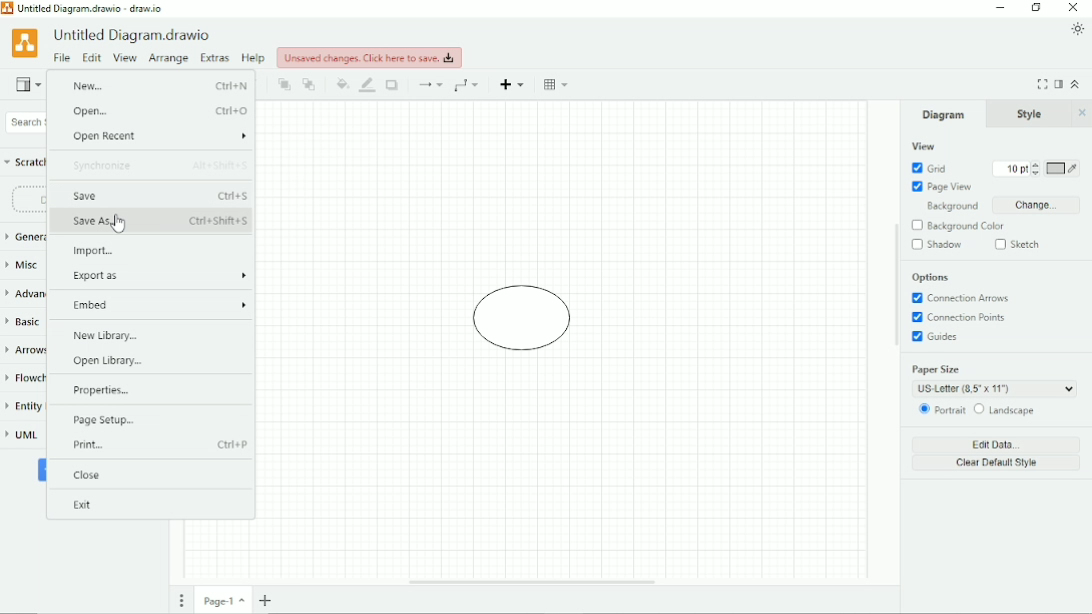  I want to click on Grid color, so click(1063, 168).